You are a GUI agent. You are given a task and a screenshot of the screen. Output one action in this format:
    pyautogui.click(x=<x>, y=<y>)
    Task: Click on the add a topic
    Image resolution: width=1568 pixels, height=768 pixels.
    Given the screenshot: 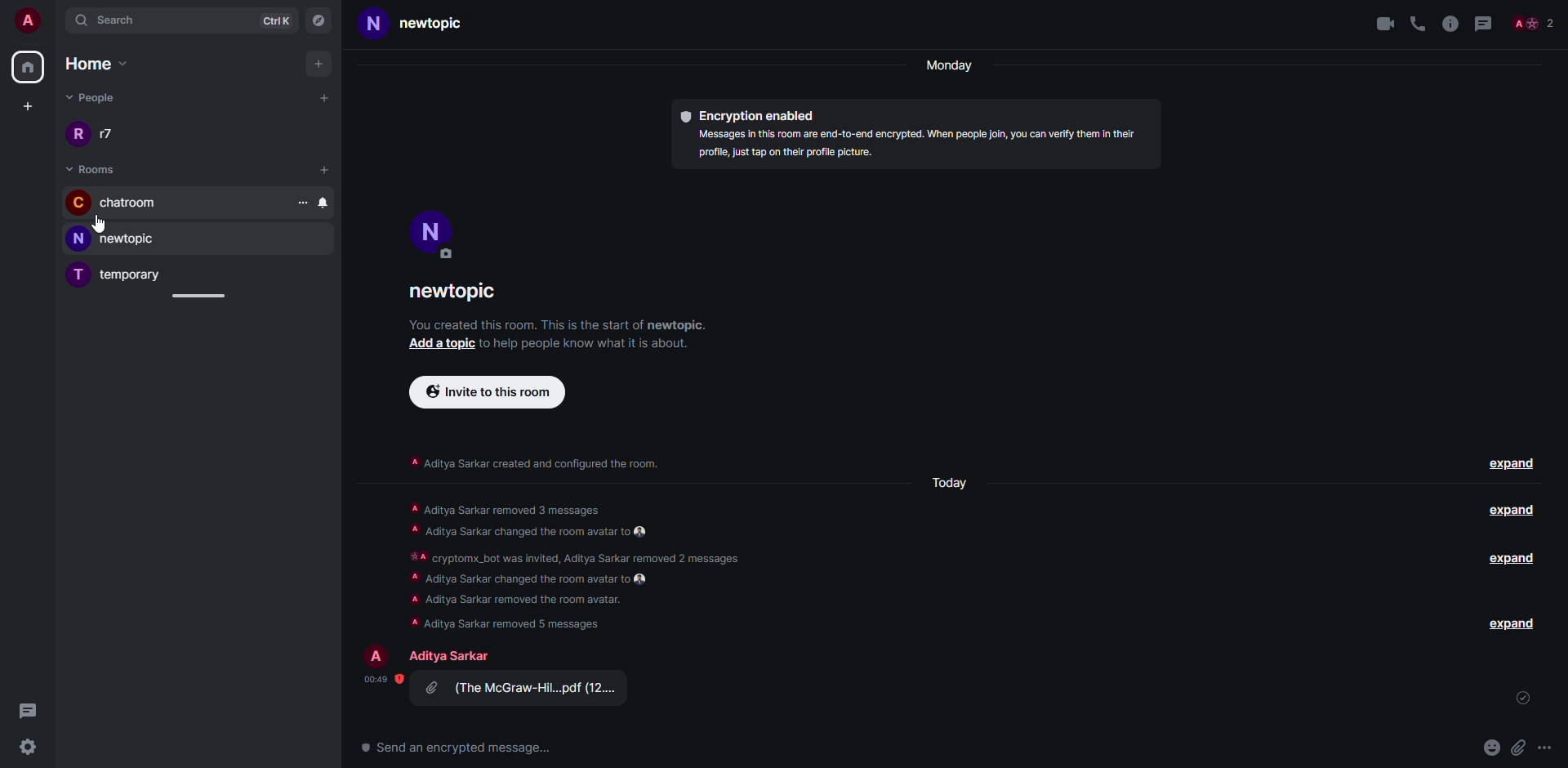 What is the action you would take?
    pyautogui.click(x=435, y=345)
    